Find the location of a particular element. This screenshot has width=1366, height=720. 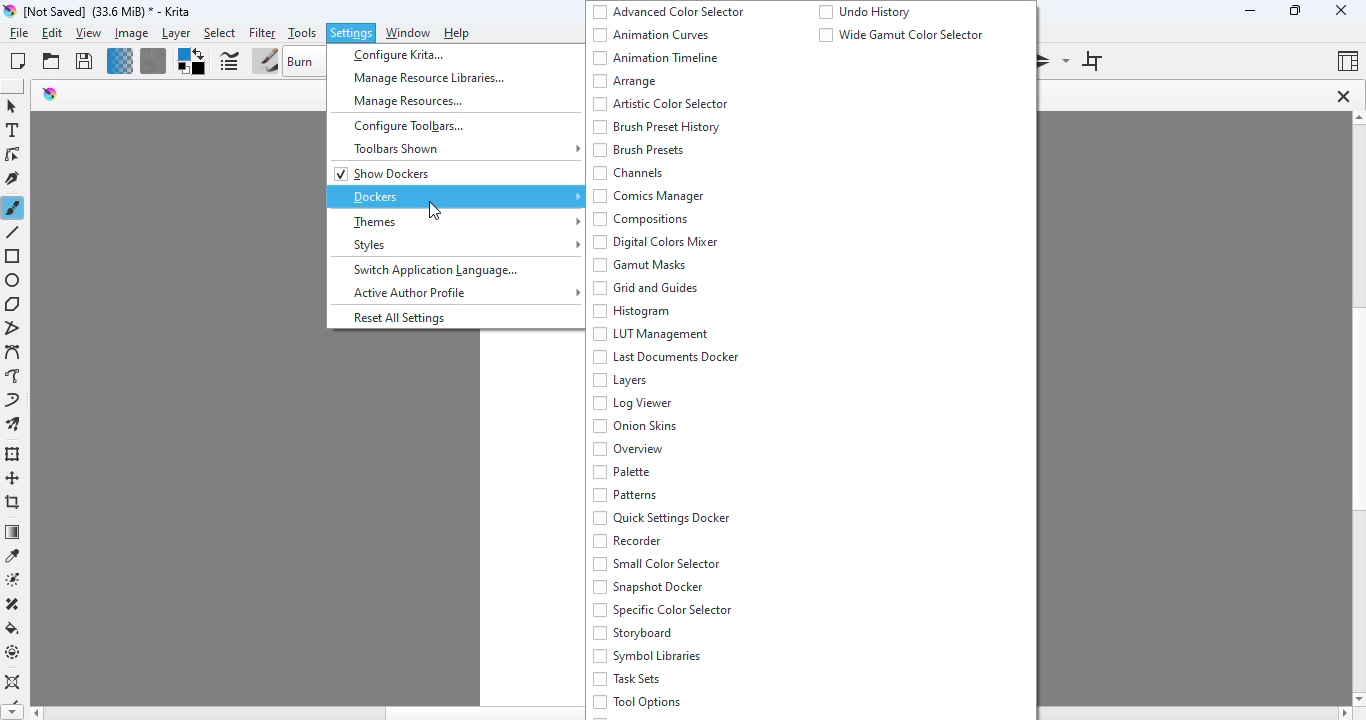

select shapes tool is located at coordinates (11, 106).